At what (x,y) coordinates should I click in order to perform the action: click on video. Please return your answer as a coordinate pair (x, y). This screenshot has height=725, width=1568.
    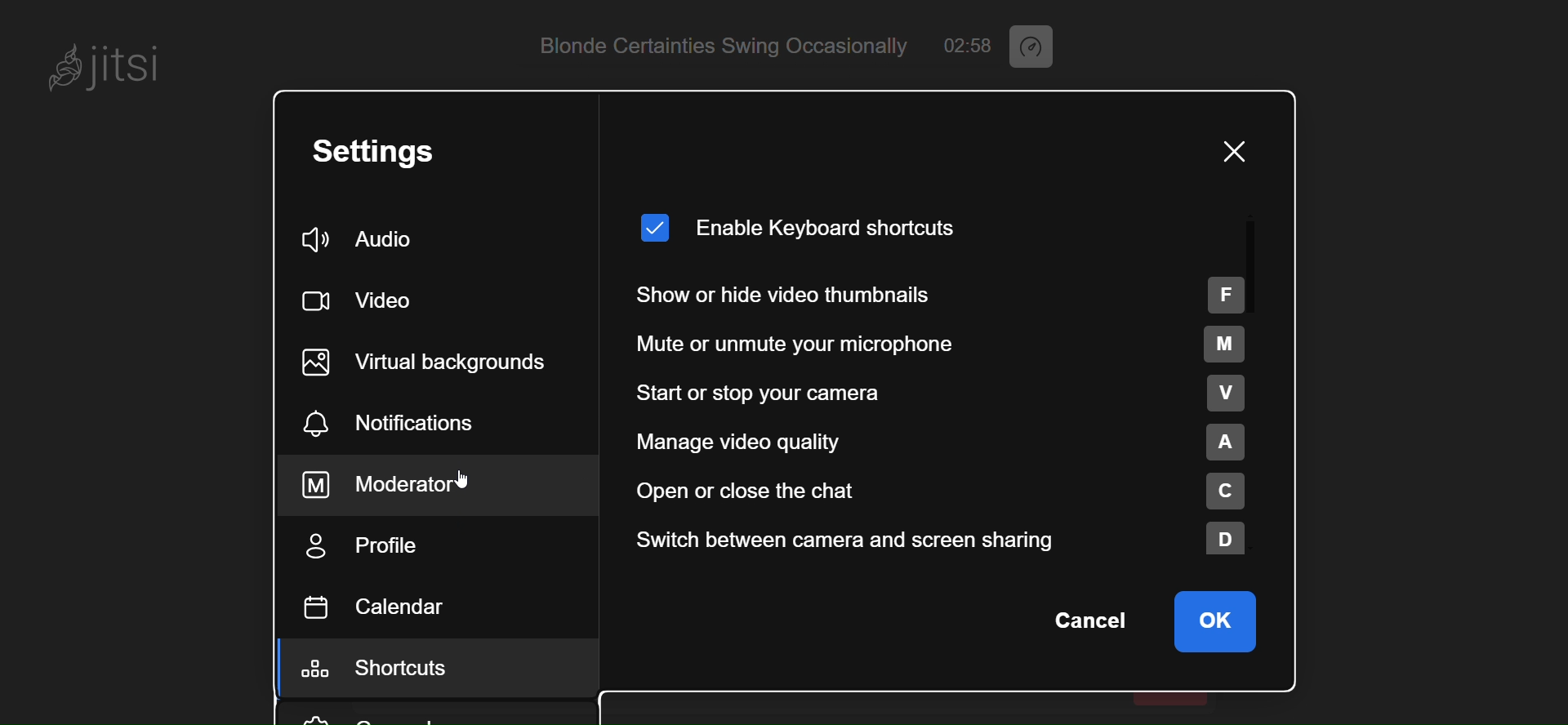
    Looking at the image, I should click on (364, 296).